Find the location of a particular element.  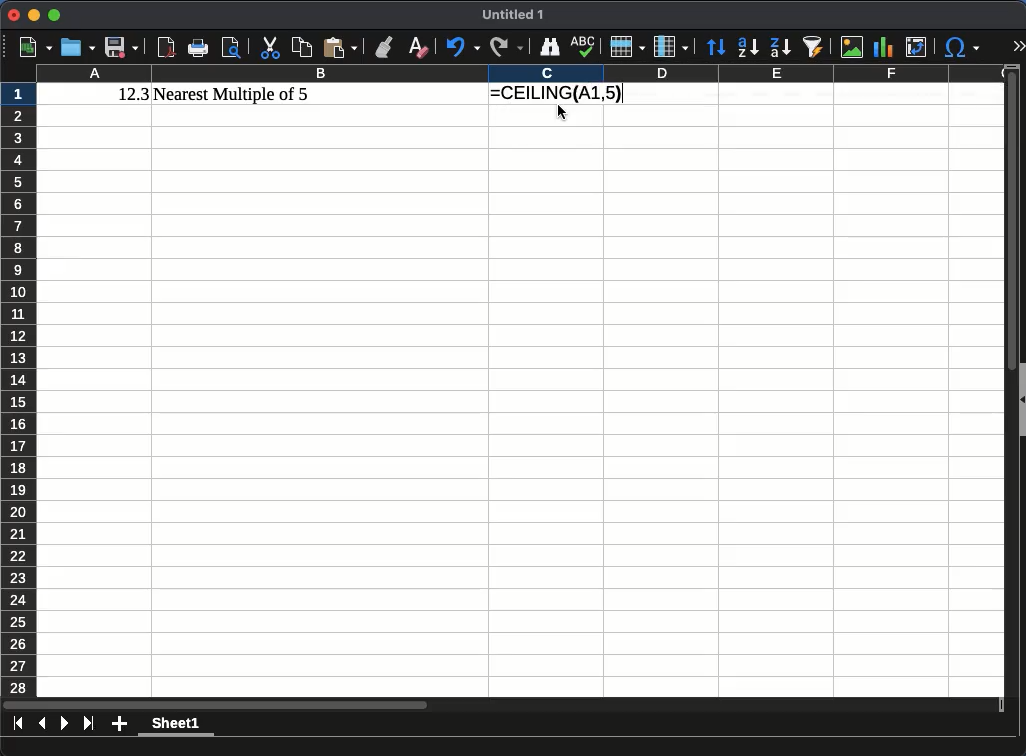

next sheet is located at coordinates (65, 725).